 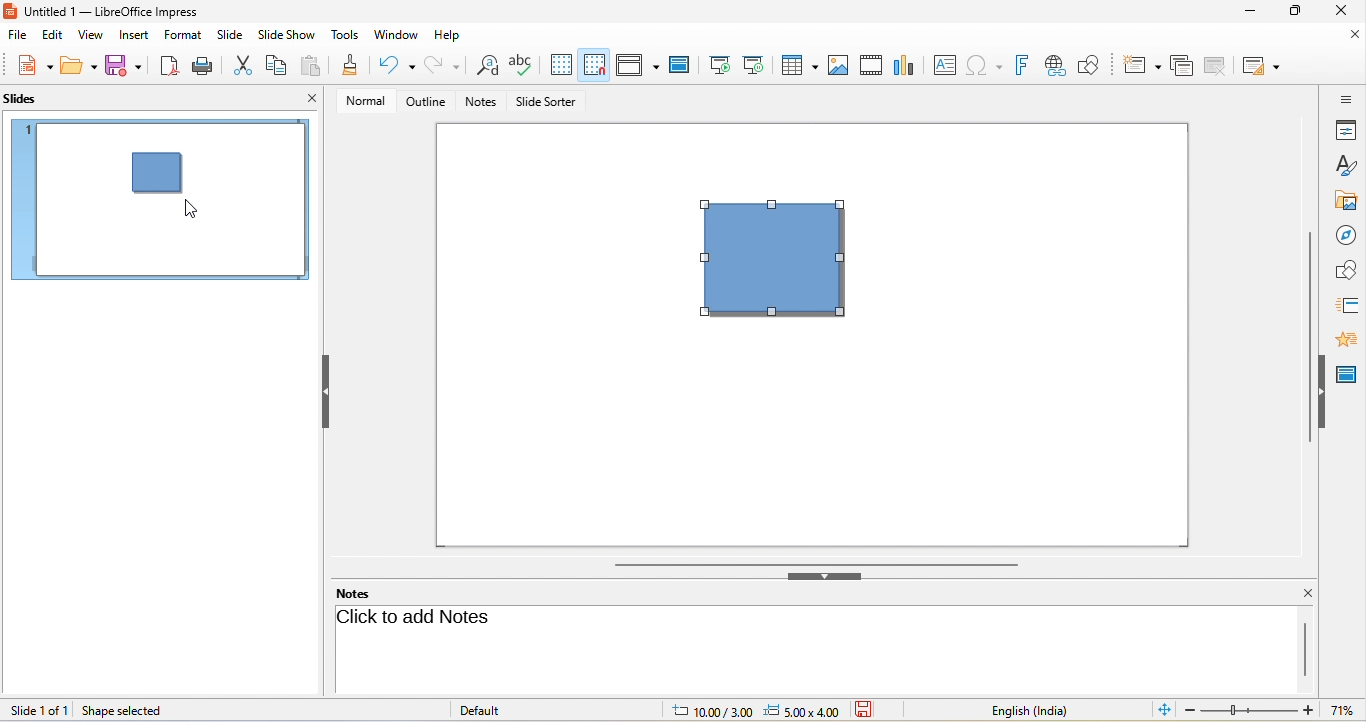 I want to click on close, so click(x=1345, y=38).